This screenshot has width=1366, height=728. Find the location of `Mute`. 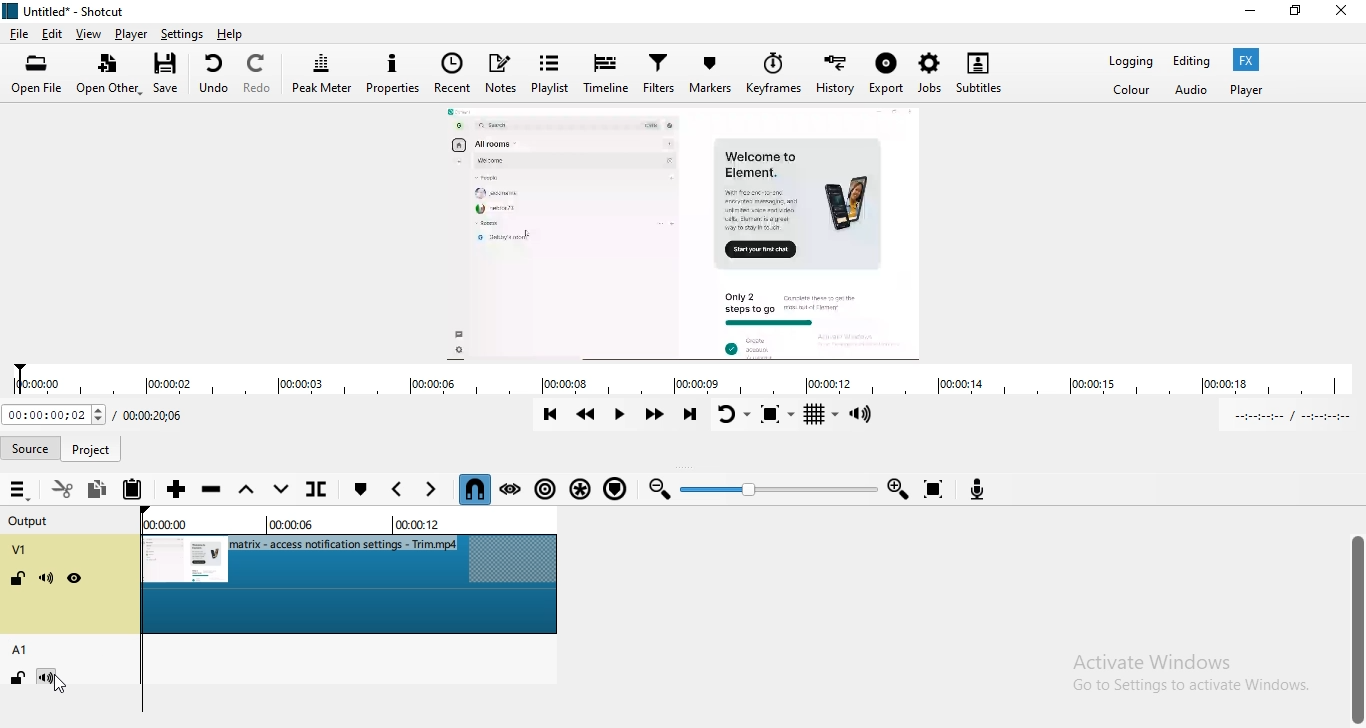

Mute is located at coordinates (44, 578).